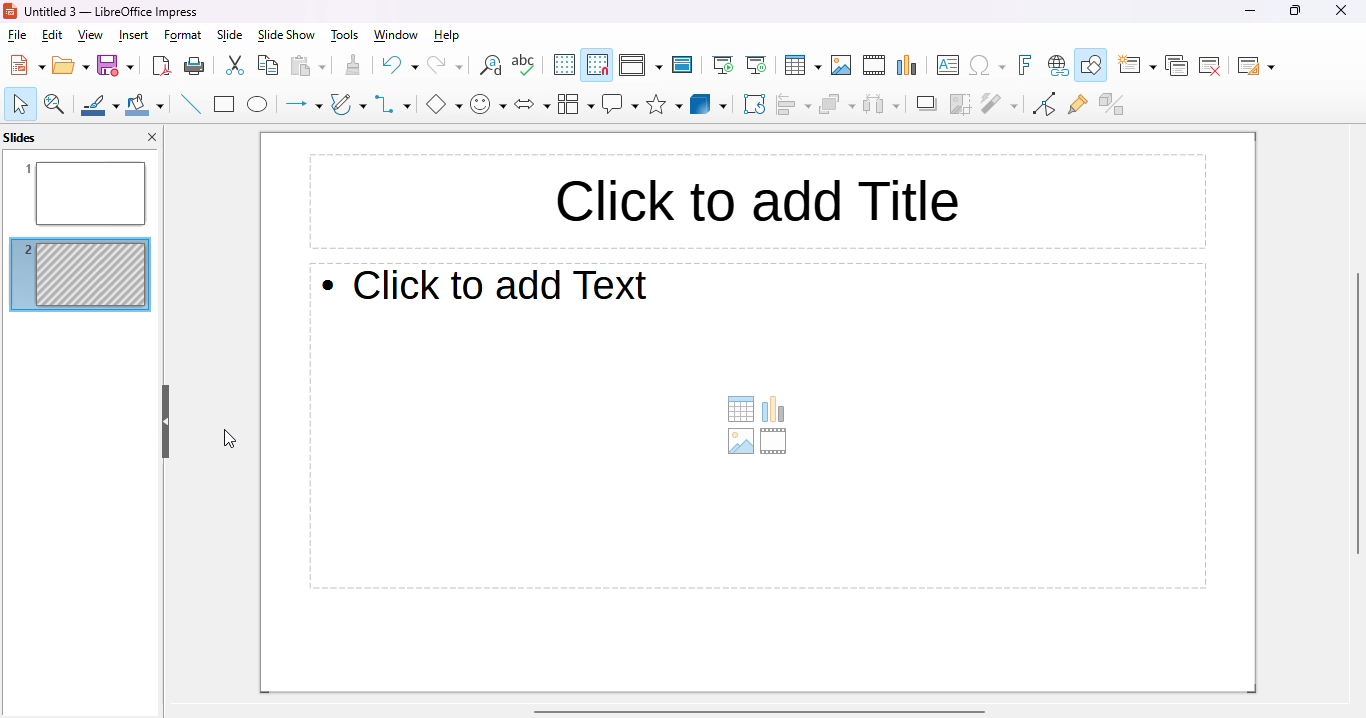  What do you see at coordinates (949, 64) in the screenshot?
I see `insert text box` at bounding box center [949, 64].